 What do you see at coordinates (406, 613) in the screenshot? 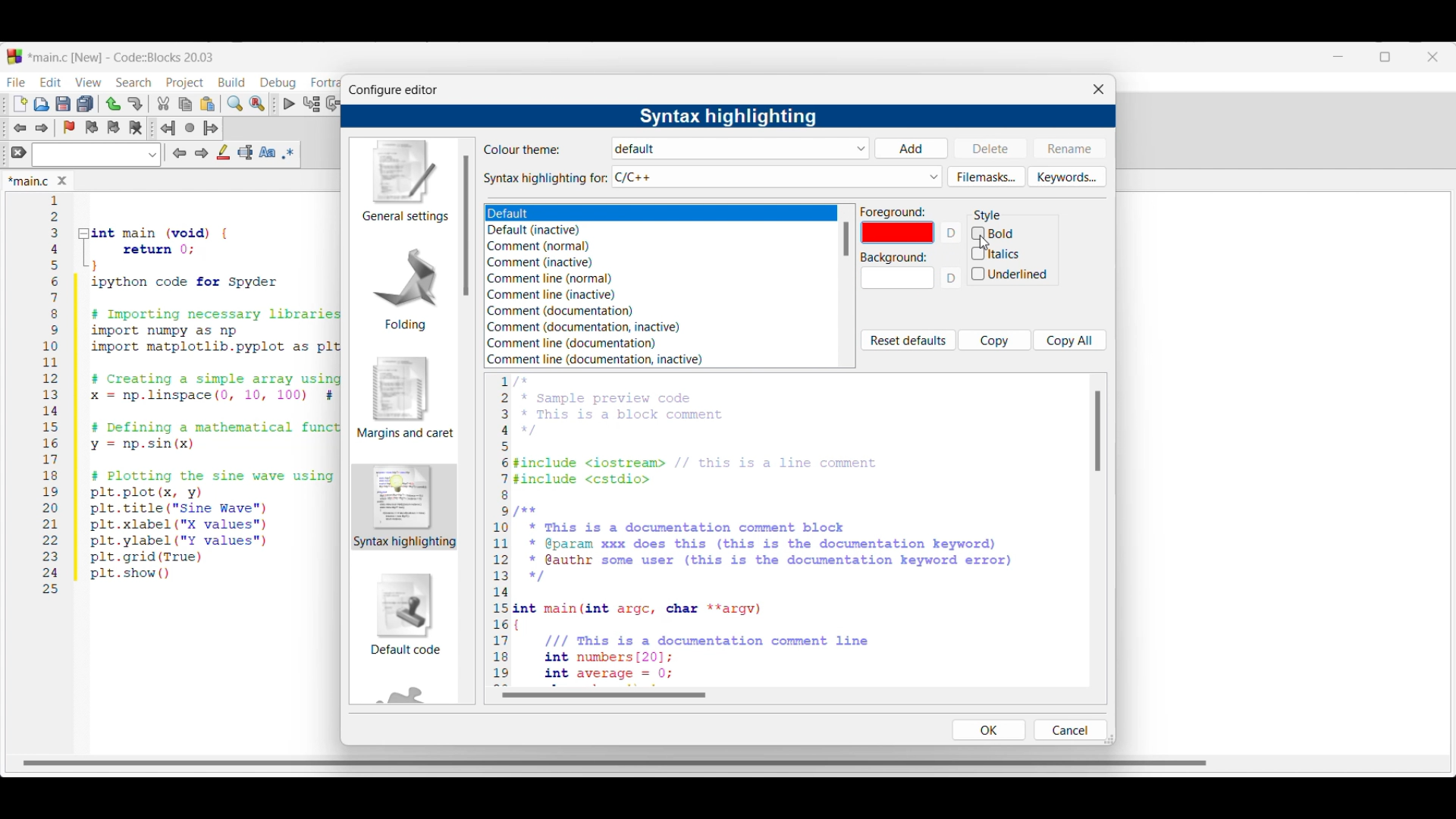
I see `Default code` at bounding box center [406, 613].